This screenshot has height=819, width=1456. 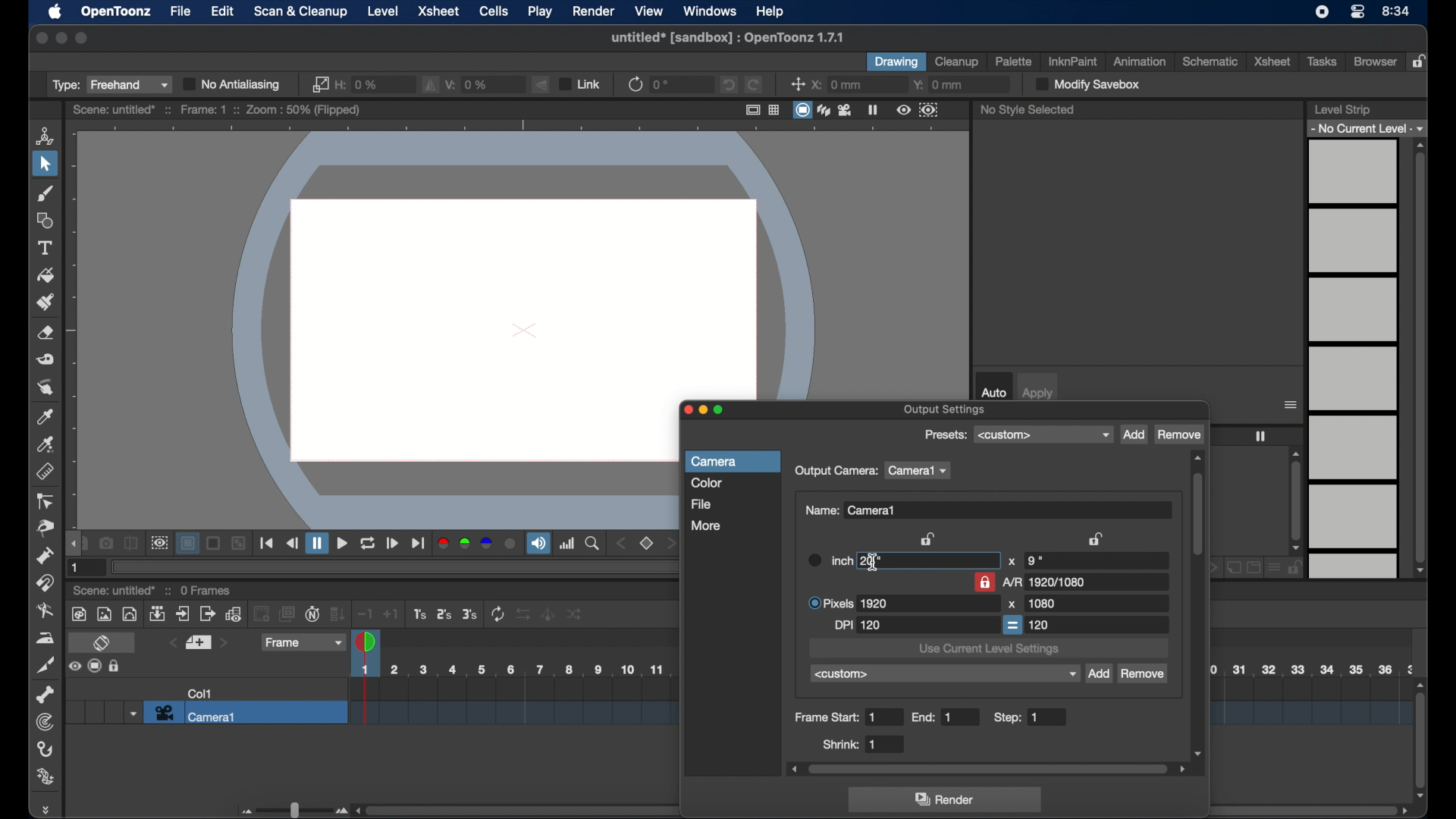 What do you see at coordinates (1038, 394) in the screenshot?
I see `apply` at bounding box center [1038, 394].